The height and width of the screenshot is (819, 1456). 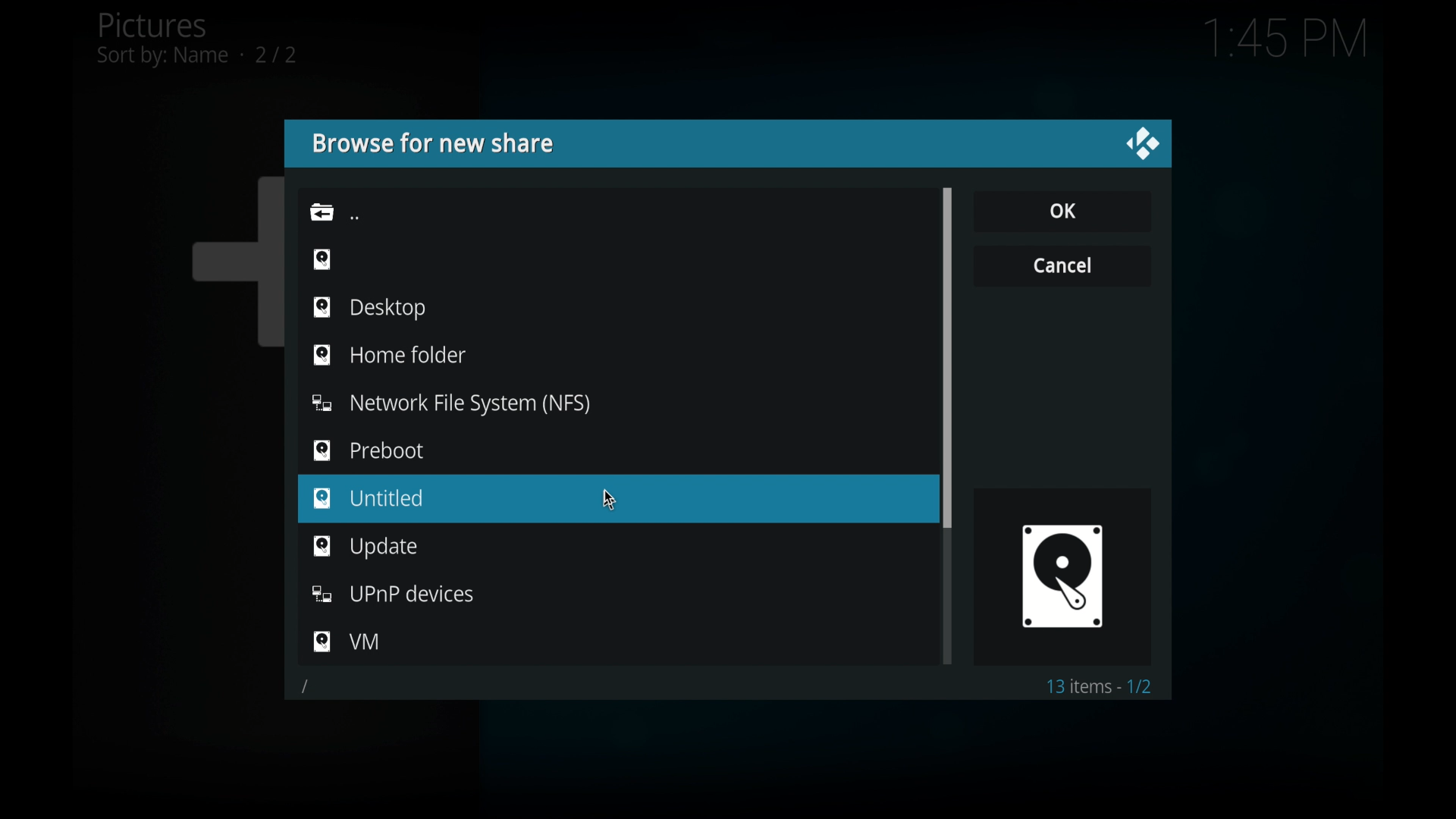 What do you see at coordinates (613, 501) in the screenshot?
I see `cursor` at bounding box center [613, 501].